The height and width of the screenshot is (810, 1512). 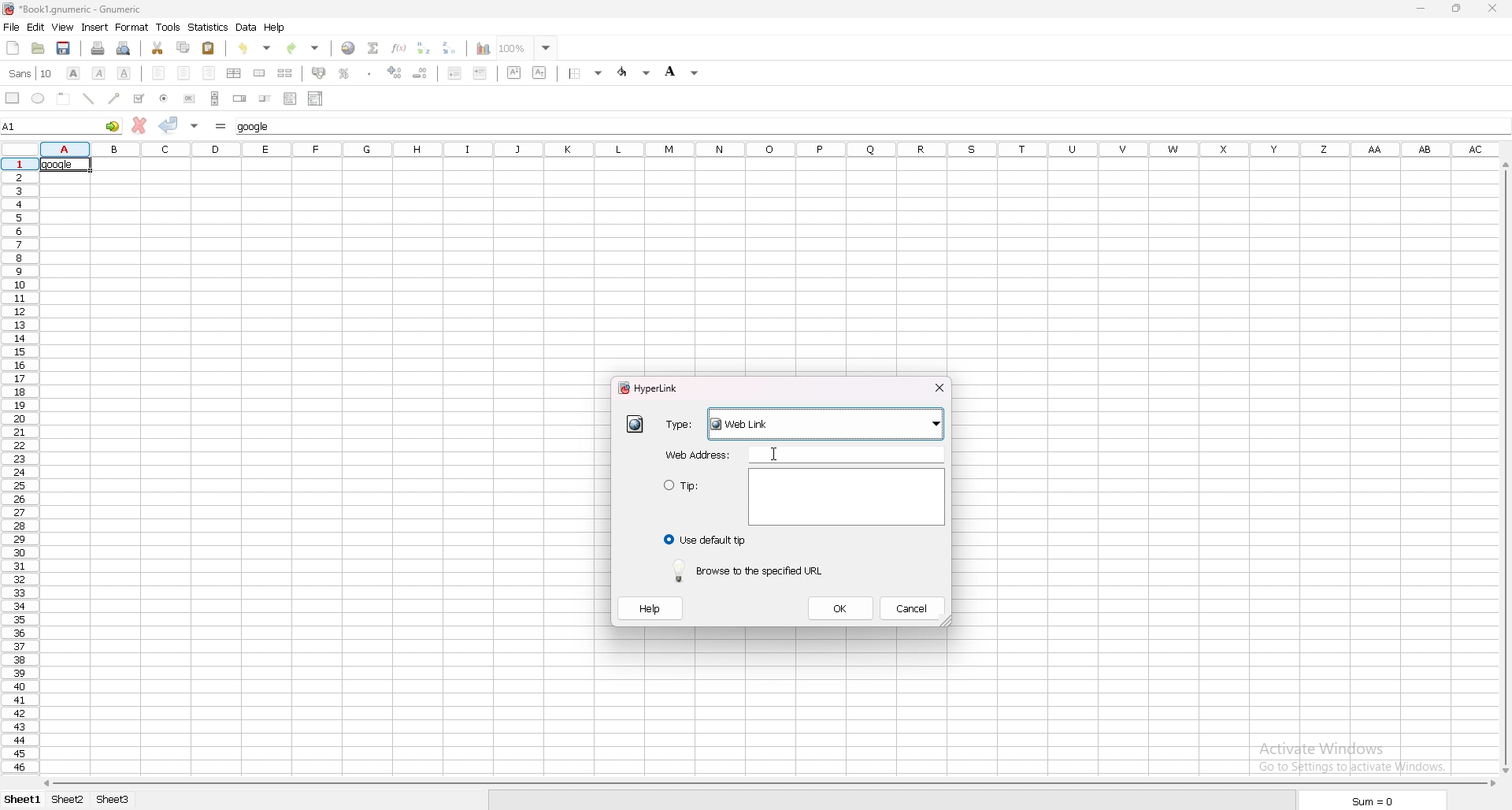 I want to click on bold, so click(x=74, y=73).